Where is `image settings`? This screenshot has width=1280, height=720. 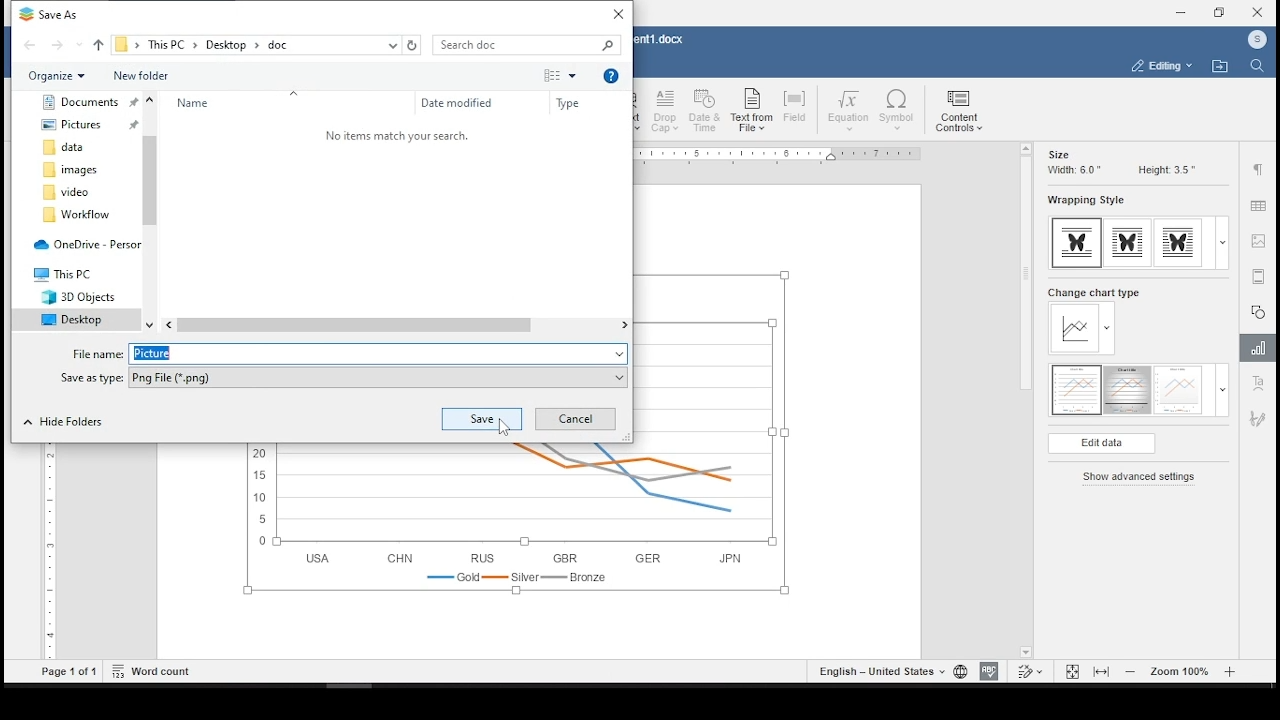 image settings is located at coordinates (1259, 243).